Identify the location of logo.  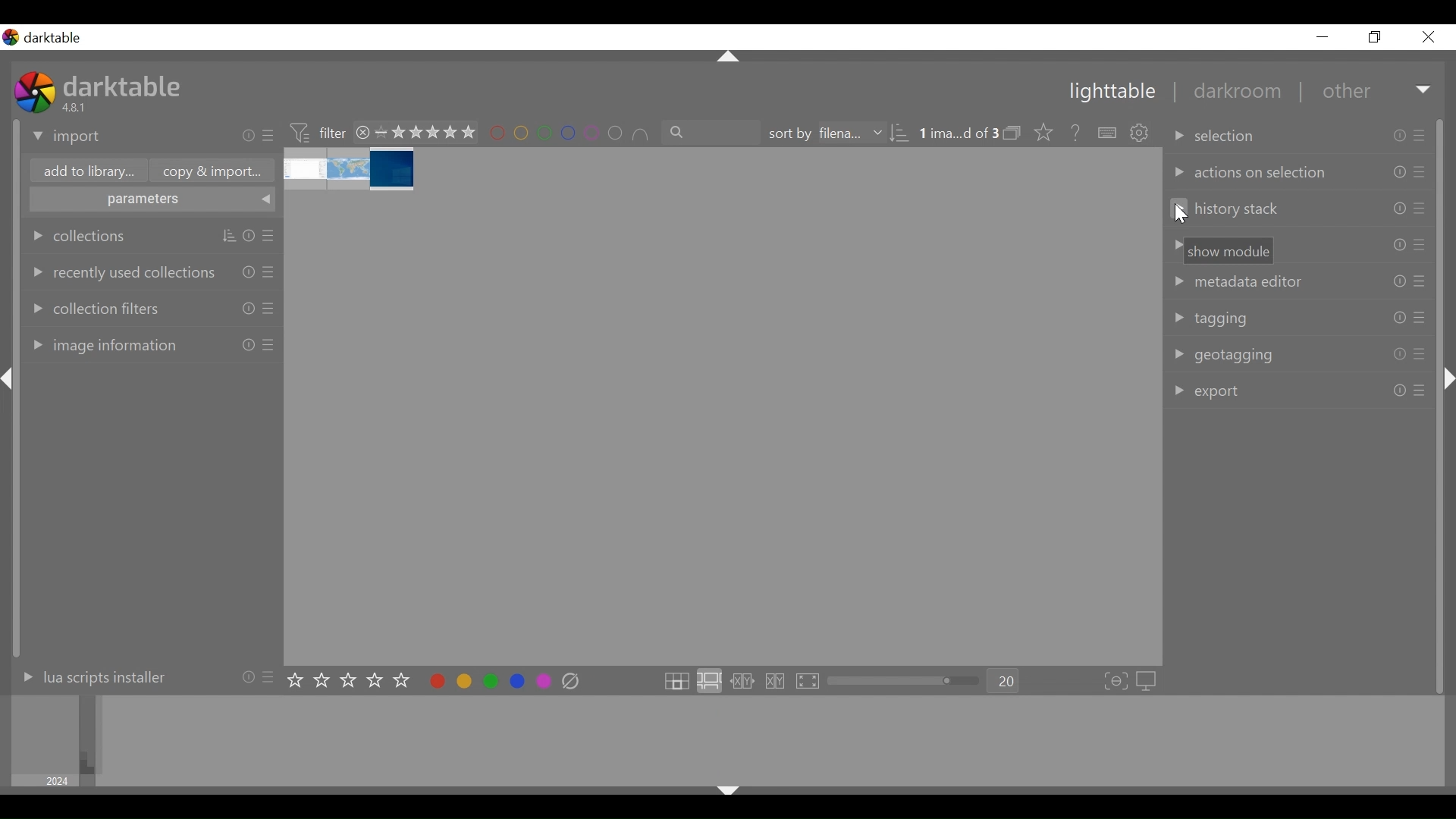
(35, 92).